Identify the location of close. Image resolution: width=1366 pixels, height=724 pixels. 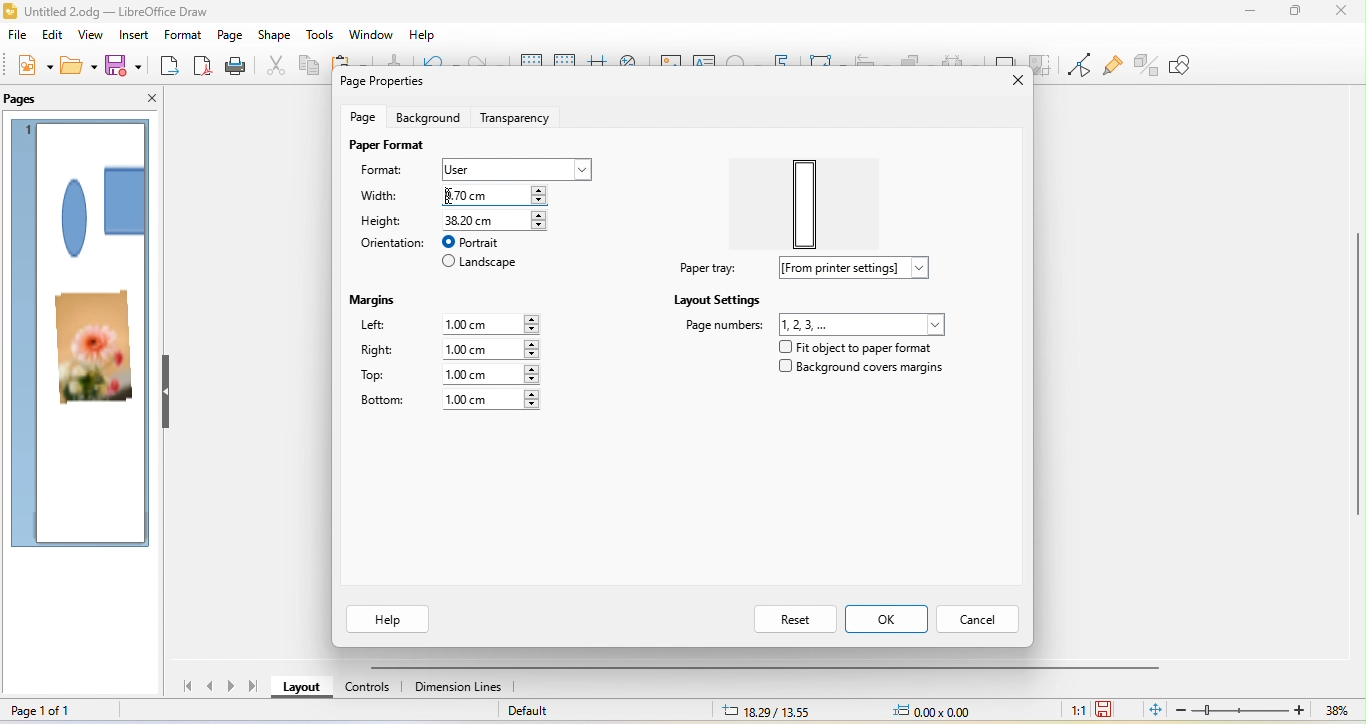
(1342, 14).